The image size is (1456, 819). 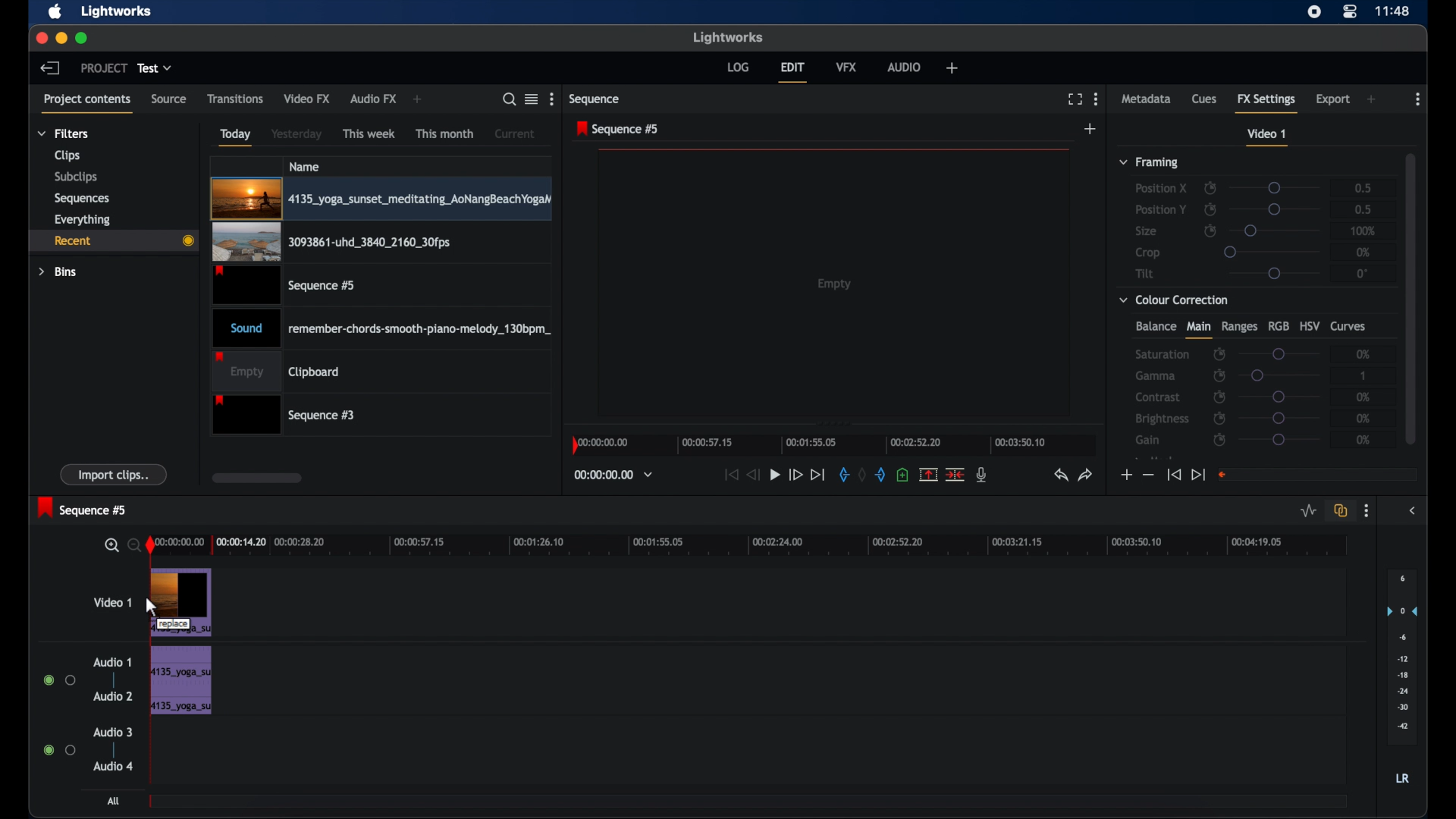 I want to click on jump to start, so click(x=1173, y=475).